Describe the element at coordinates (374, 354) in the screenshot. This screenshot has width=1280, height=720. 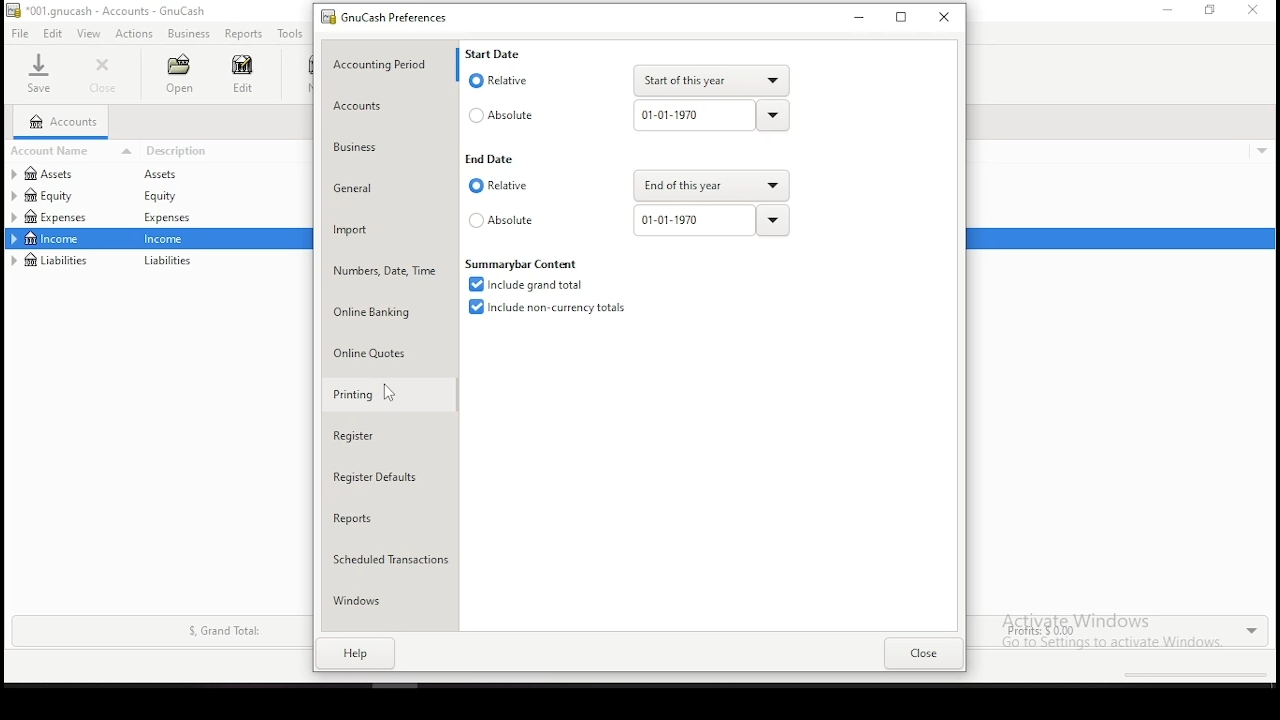
I see `online quotes` at that location.